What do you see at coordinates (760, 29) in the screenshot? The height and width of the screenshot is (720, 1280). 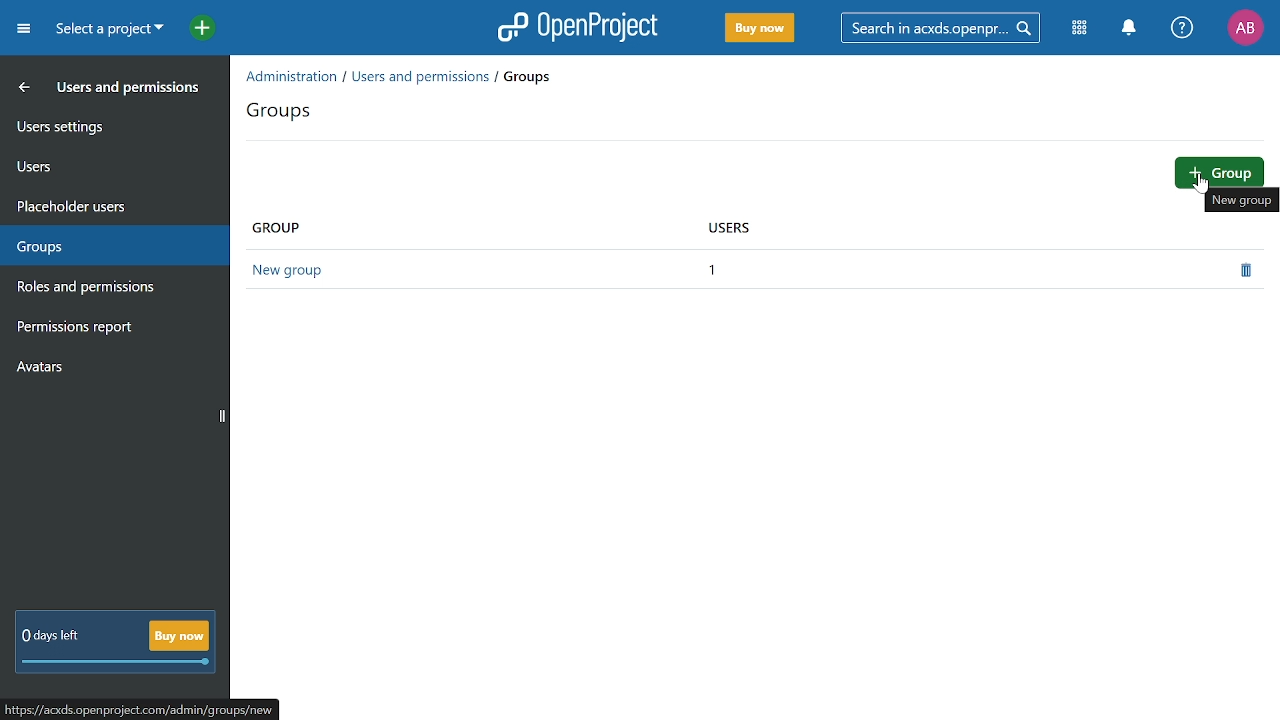 I see `Buy Now` at bounding box center [760, 29].